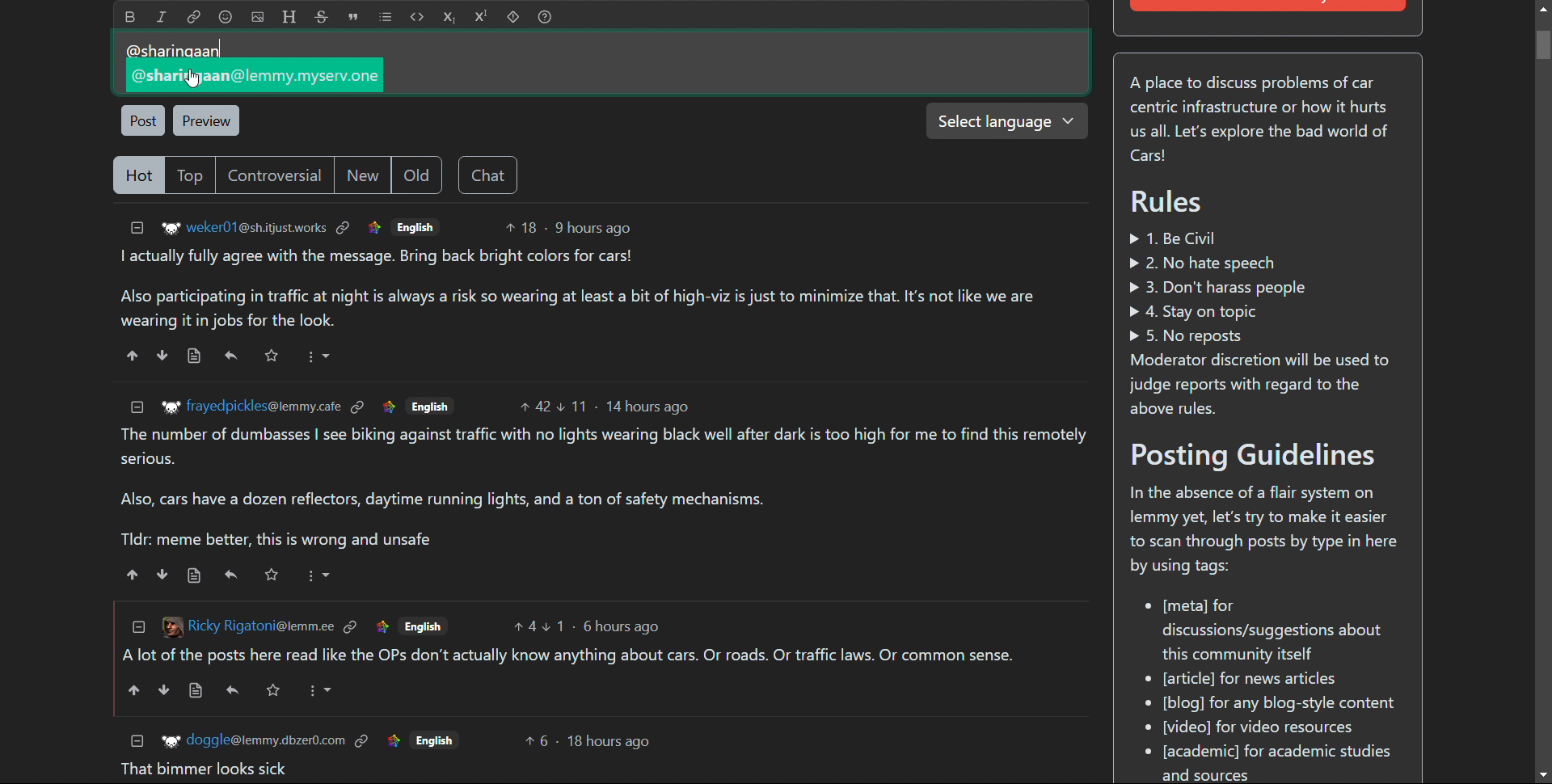  What do you see at coordinates (538, 740) in the screenshot?
I see `upvotes 6` at bounding box center [538, 740].